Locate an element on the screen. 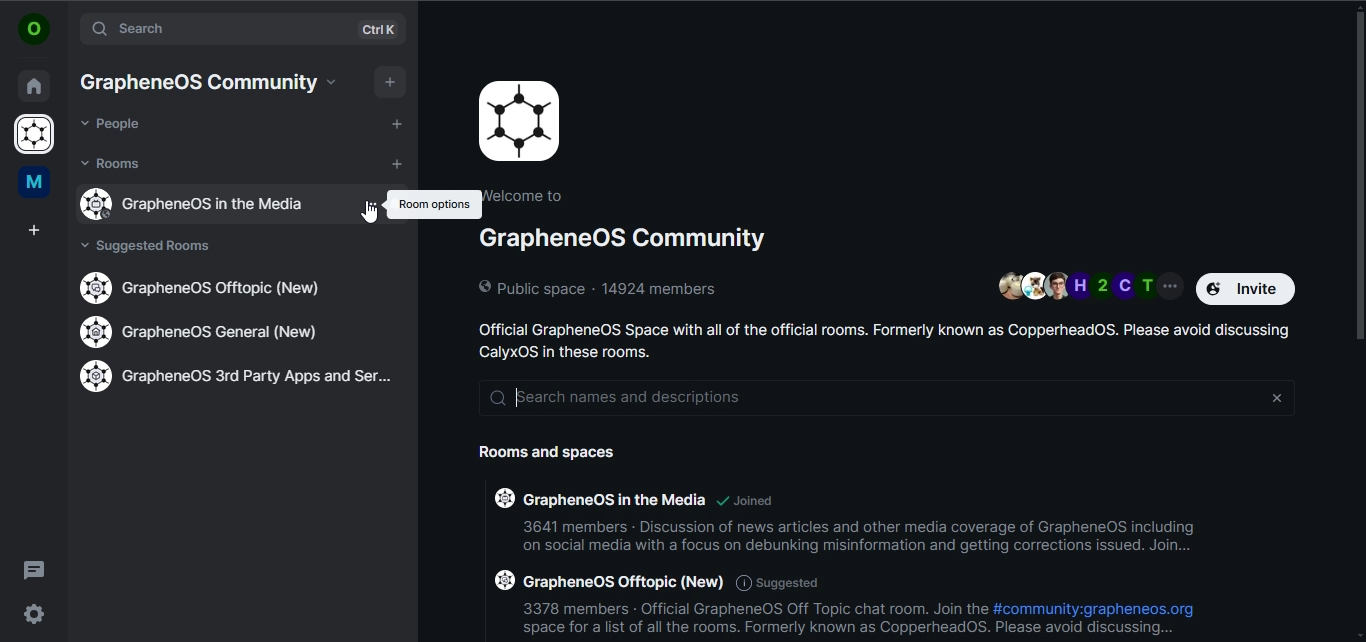 The width and height of the screenshot is (1366, 642). cursor is located at coordinates (369, 219).